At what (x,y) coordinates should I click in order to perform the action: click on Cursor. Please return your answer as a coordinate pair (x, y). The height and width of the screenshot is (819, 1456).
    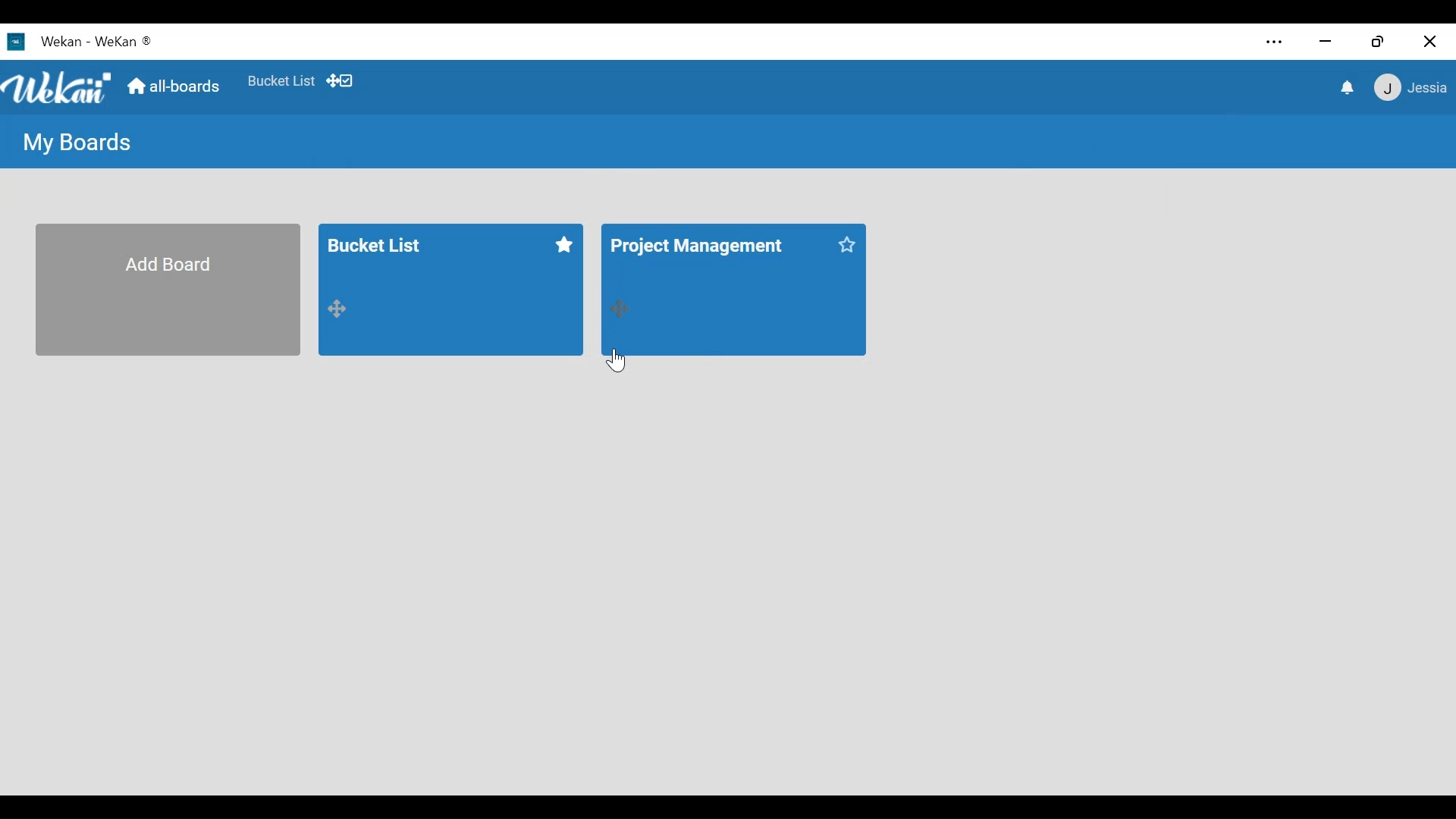
    Looking at the image, I should click on (615, 359).